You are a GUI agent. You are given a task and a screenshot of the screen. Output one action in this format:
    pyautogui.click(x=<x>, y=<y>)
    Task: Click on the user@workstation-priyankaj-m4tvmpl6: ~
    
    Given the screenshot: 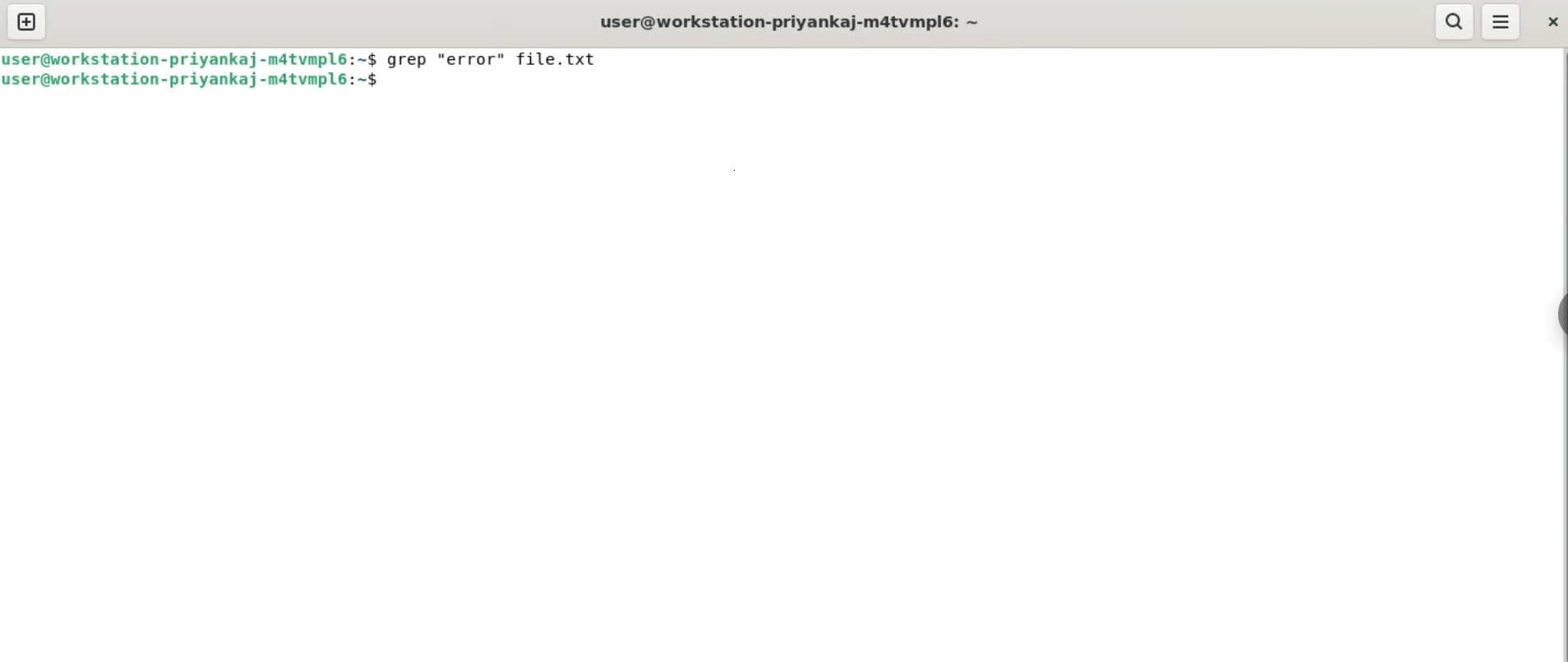 What is the action you would take?
    pyautogui.click(x=793, y=20)
    